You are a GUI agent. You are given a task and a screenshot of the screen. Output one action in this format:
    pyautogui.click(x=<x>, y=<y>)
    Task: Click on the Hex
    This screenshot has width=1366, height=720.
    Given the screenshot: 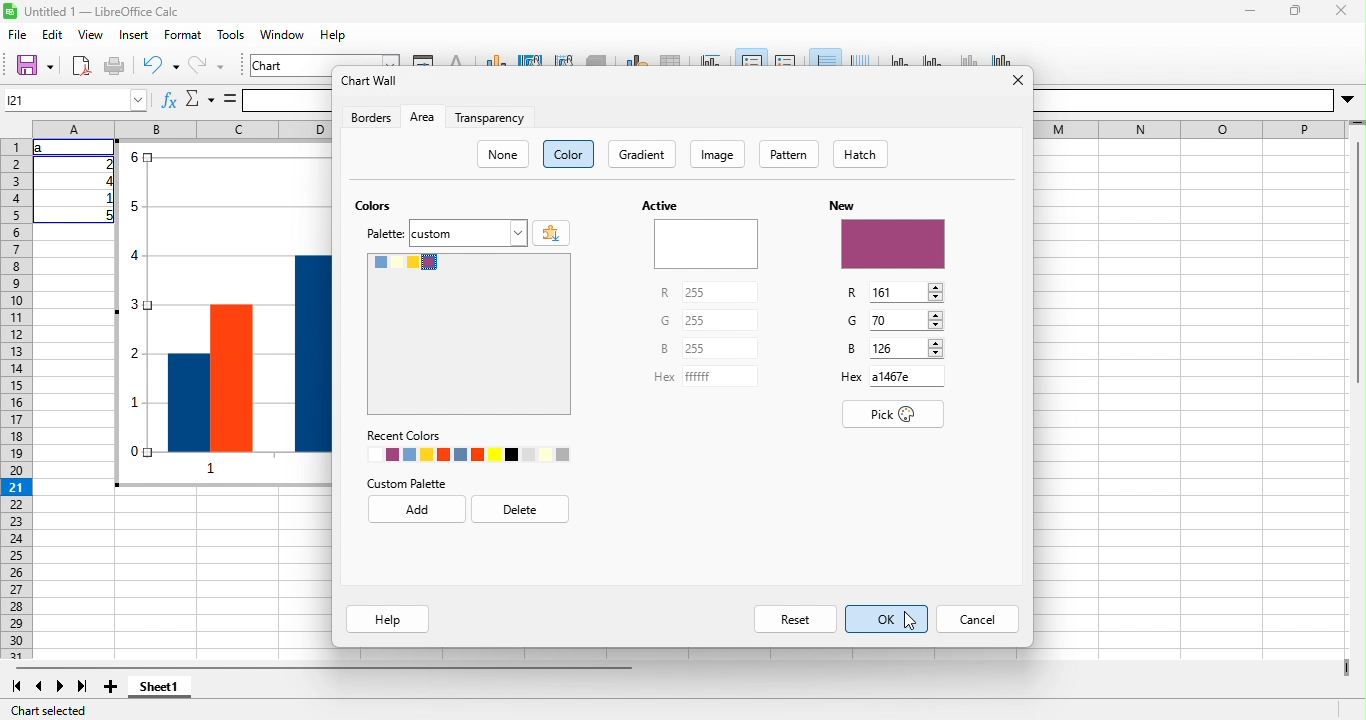 What is the action you would take?
    pyautogui.click(x=852, y=377)
    